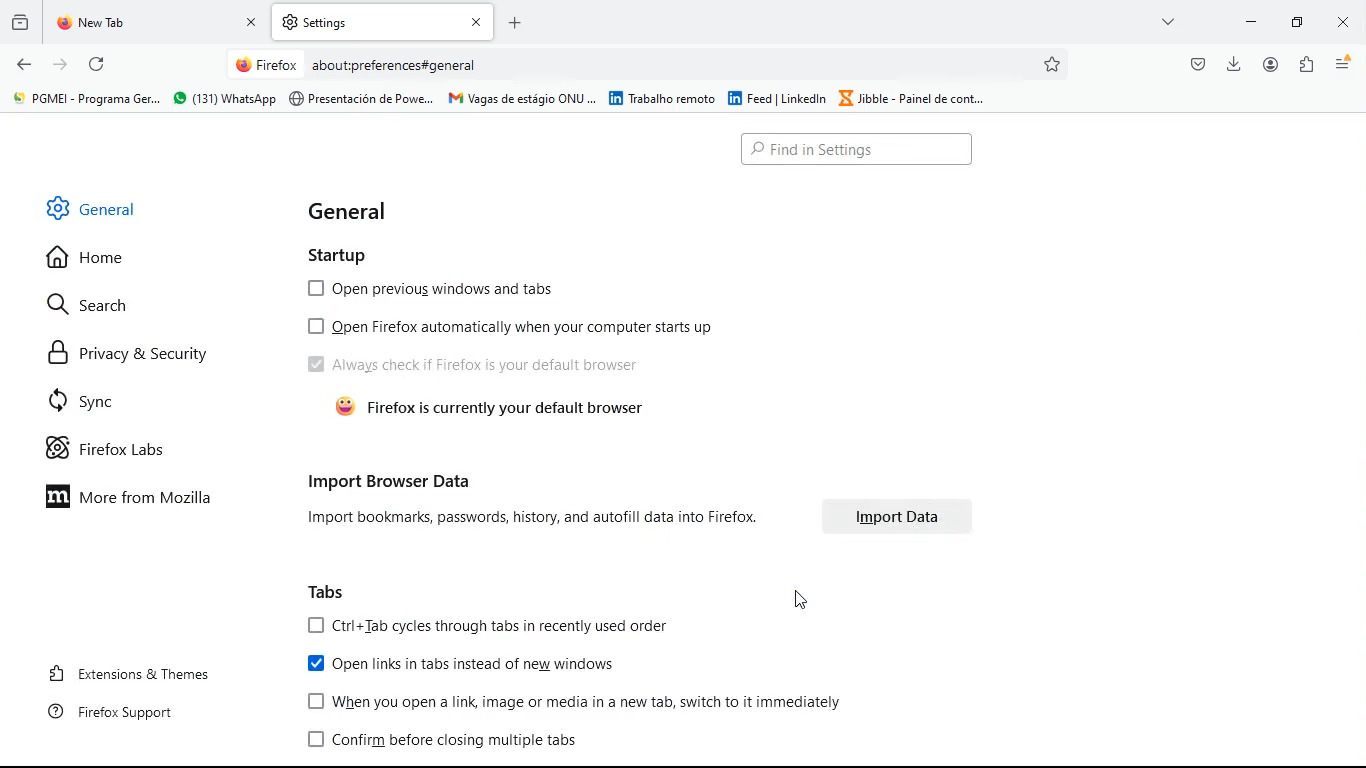  What do you see at coordinates (366, 65) in the screenshot?
I see `About:preferences` at bounding box center [366, 65].